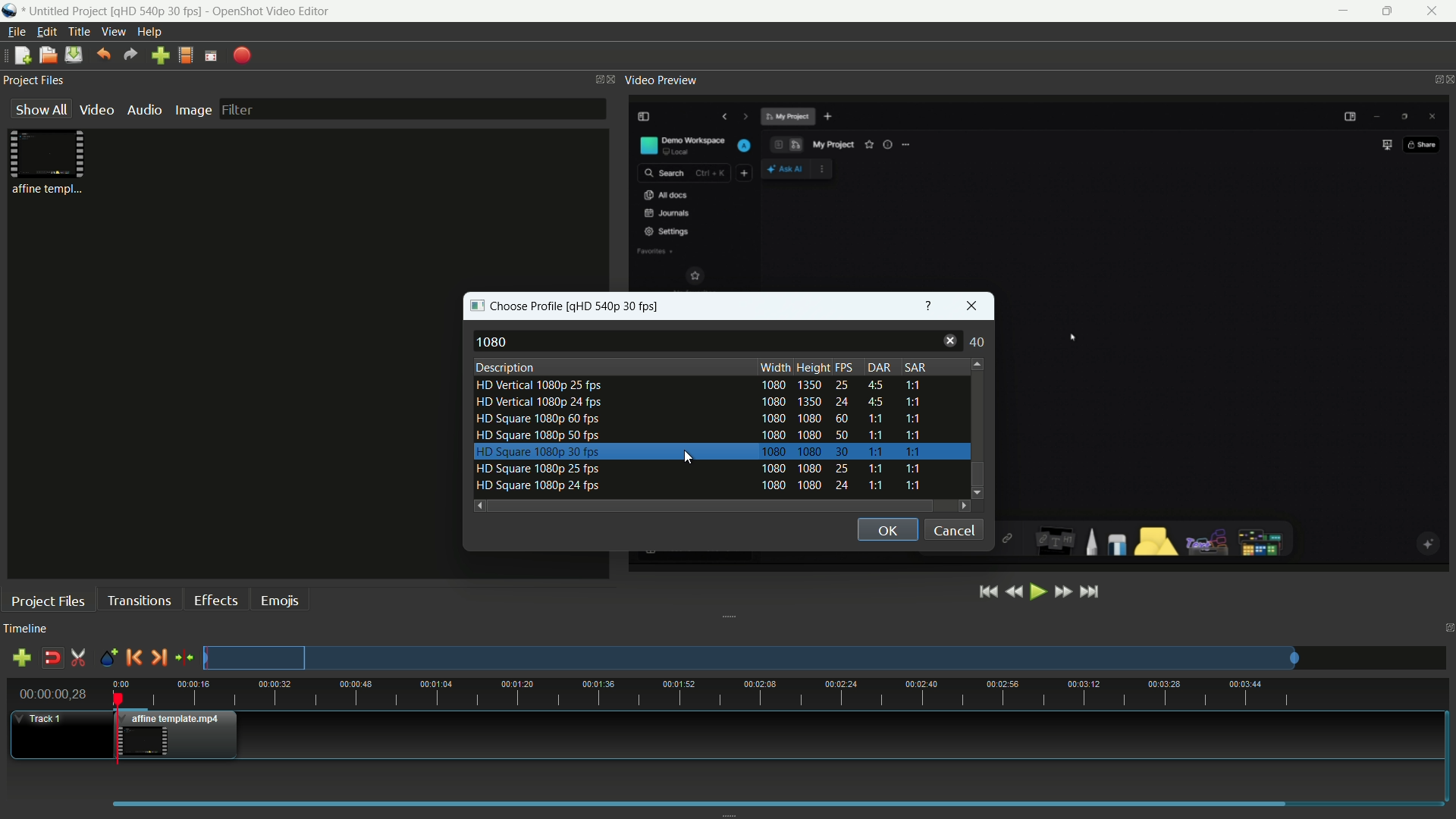 The width and height of the screenshot is (1456, 819). Describe the element at coordinates (594, 78) in the screenshot. I see `change layout` at that location.